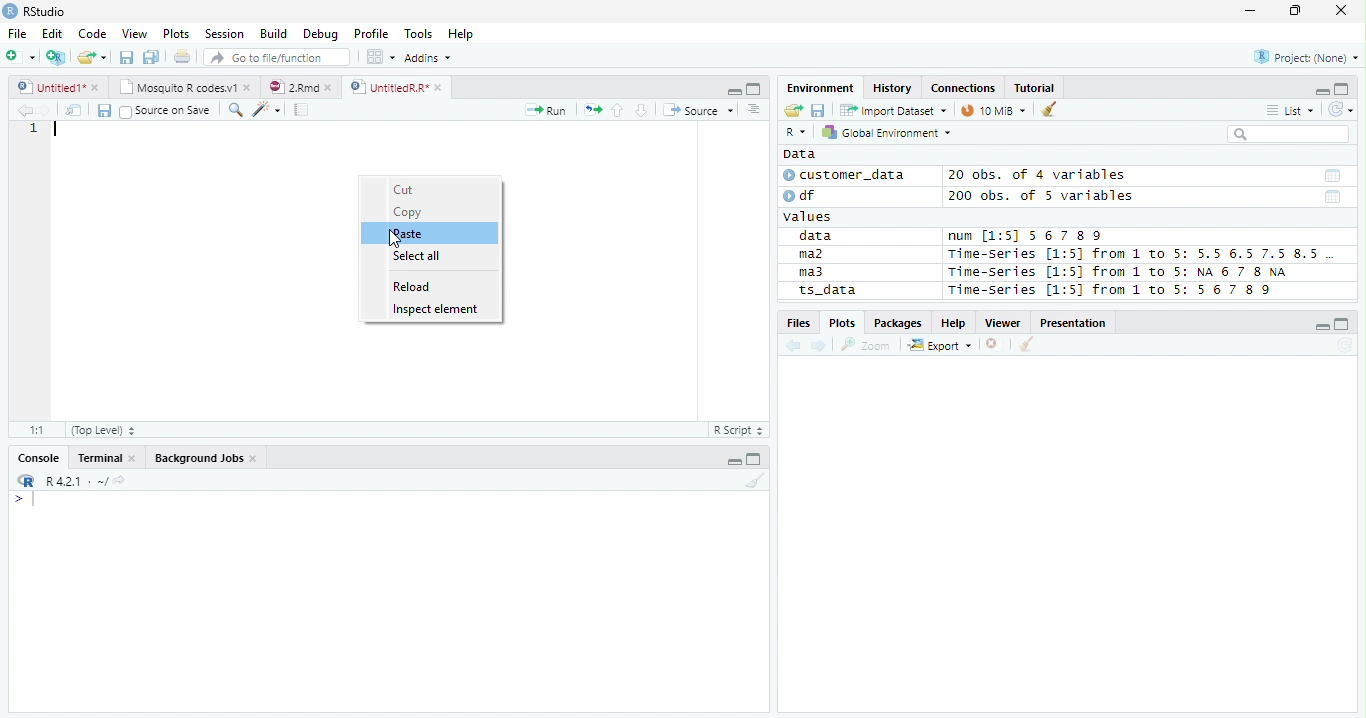 Image resolution: width=1366 pixels, height=718 pixels. I want to click on Source, so click(696, 110).